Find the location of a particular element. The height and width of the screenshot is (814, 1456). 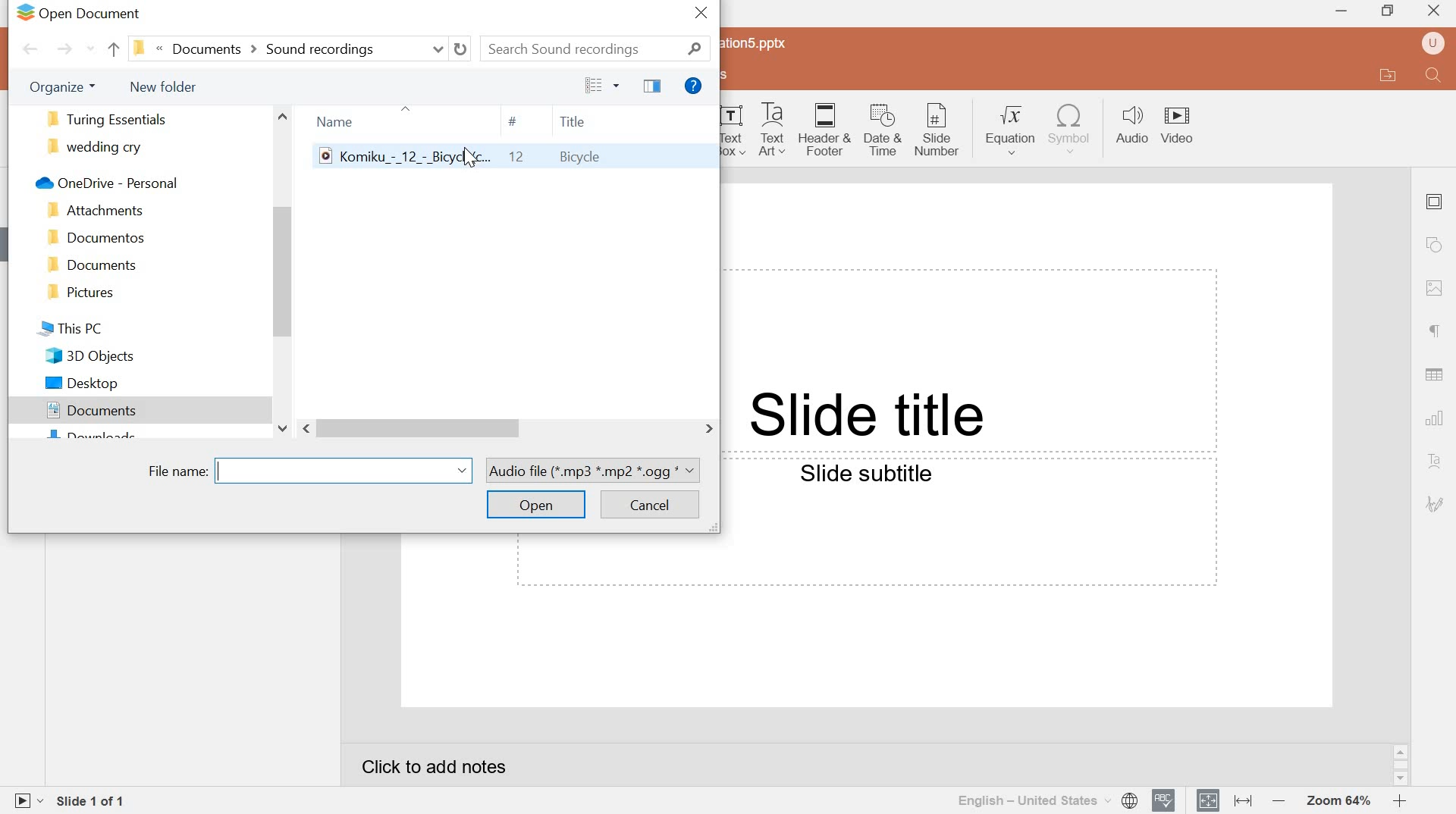

get help is located at coordinates (694, 86).